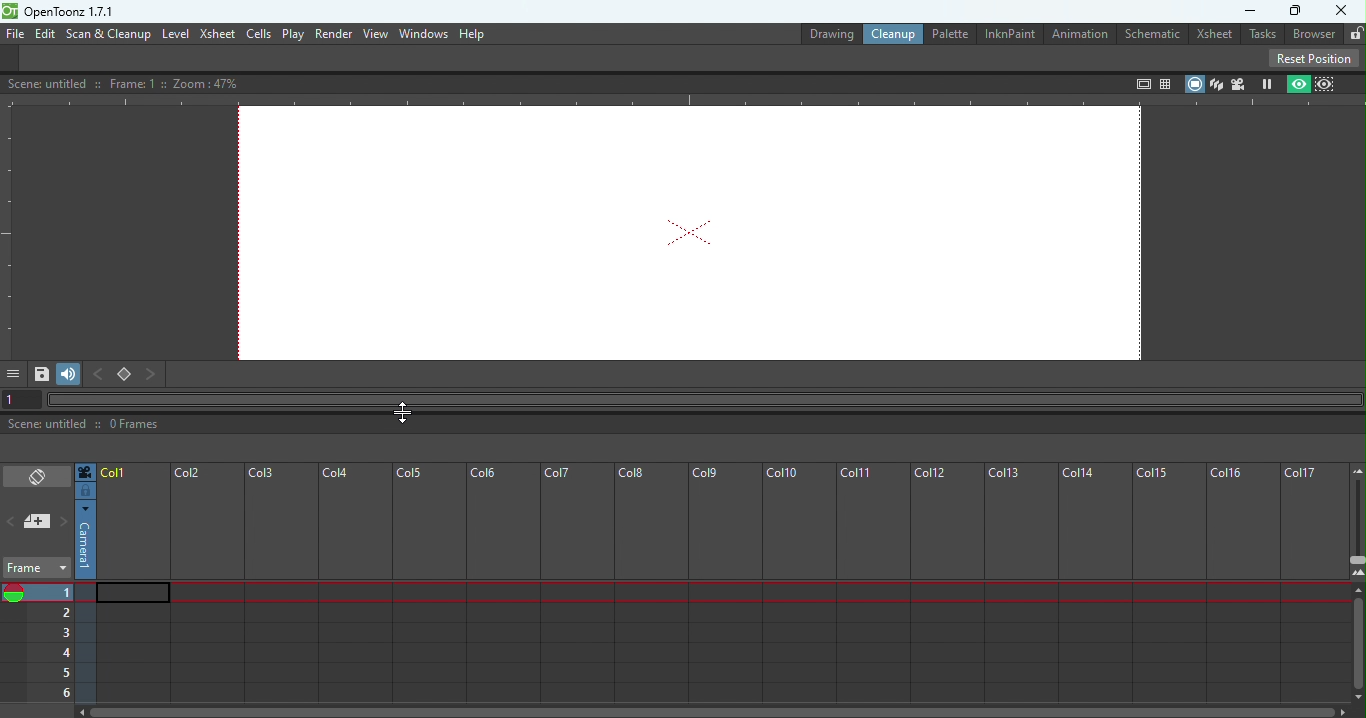 This screenshot has height=718, width=1366. Describe the element at coordinates (75, 12) in the screenshot. I see `openloonz1.7.1` at that location.